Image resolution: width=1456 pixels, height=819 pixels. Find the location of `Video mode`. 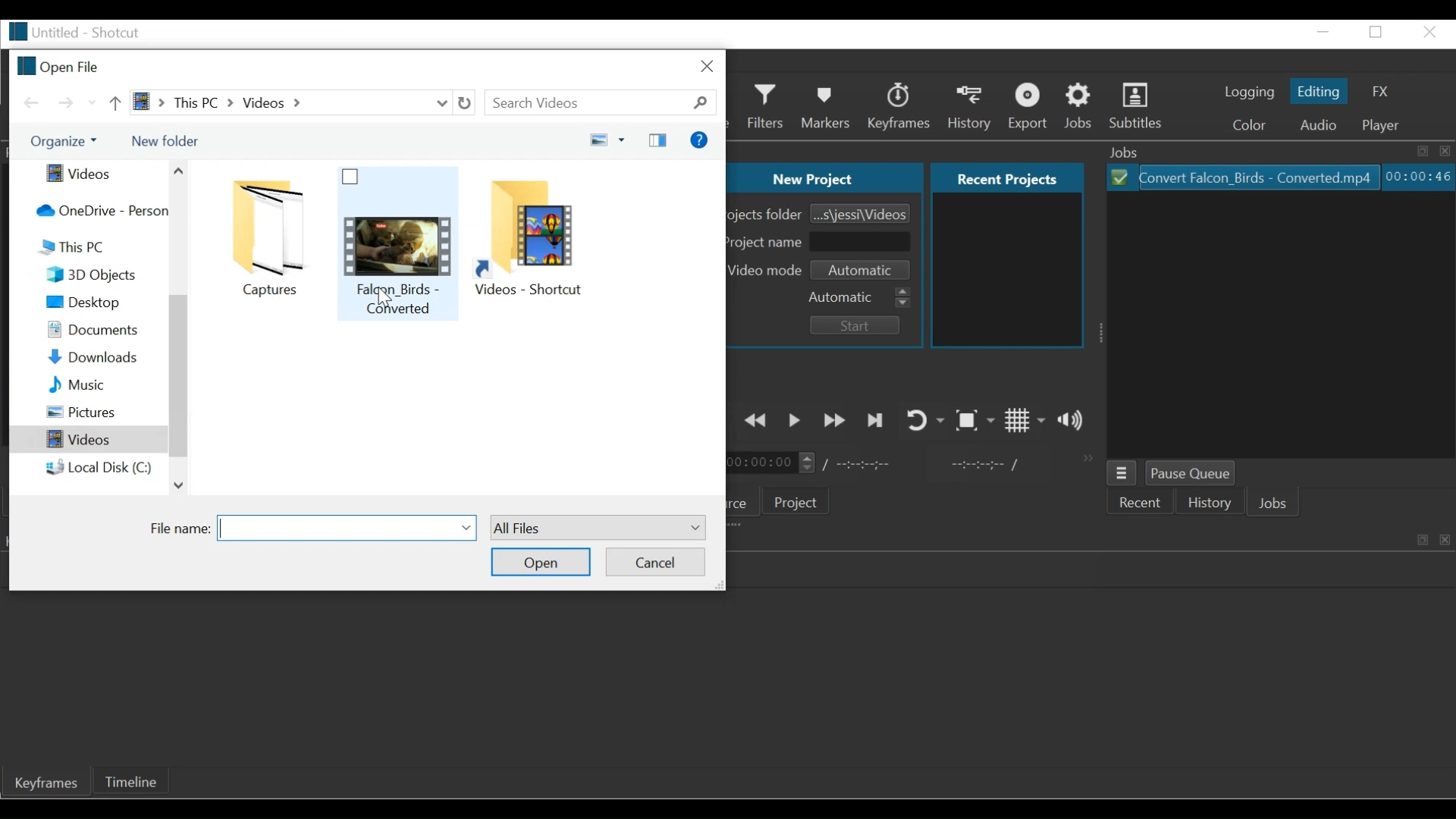

Video mode is located at coordinates (770, 270).